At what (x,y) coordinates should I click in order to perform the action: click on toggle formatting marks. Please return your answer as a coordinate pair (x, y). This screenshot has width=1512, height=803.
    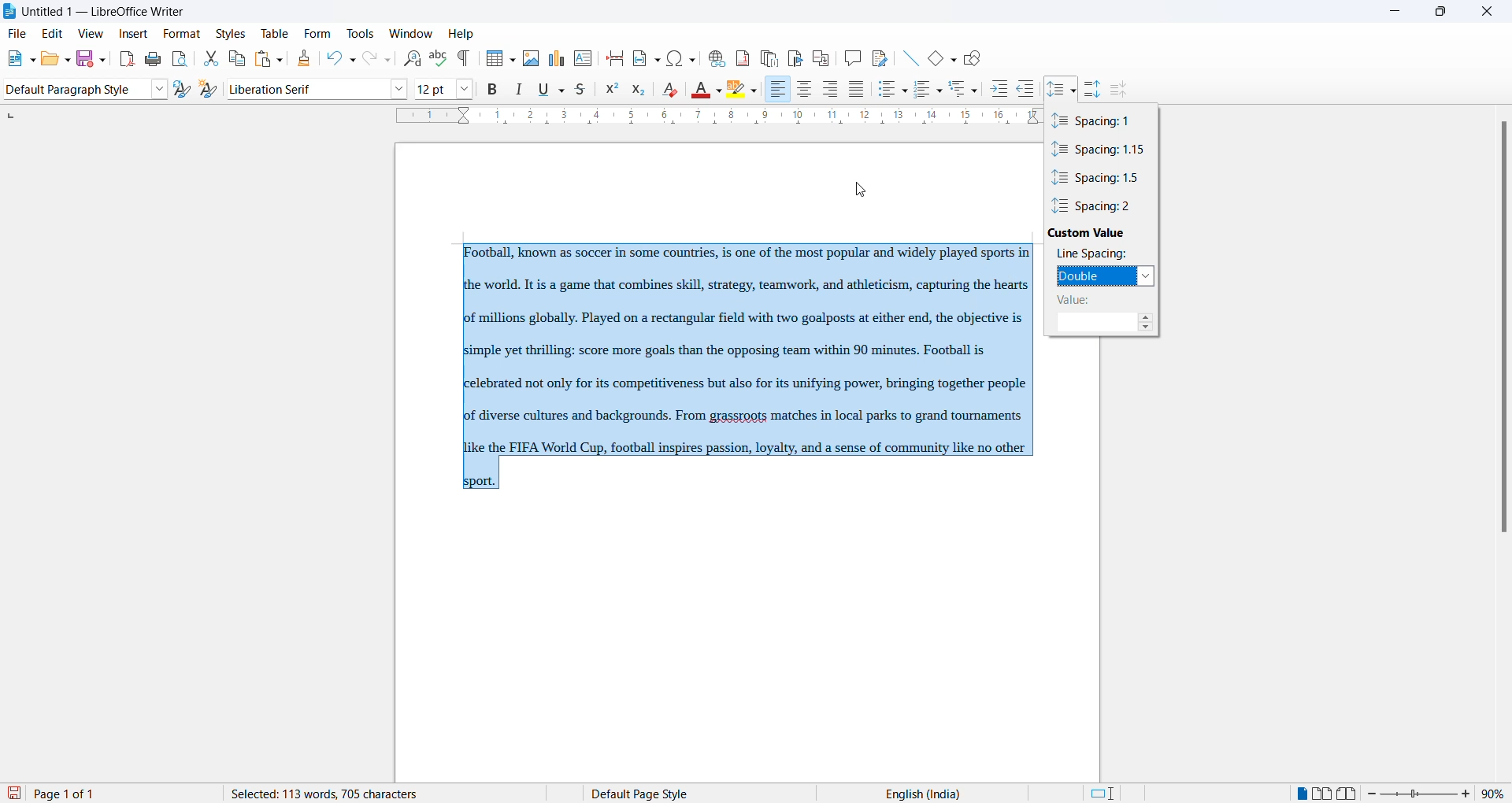
    Looking at the image, I should click on (465, 60).